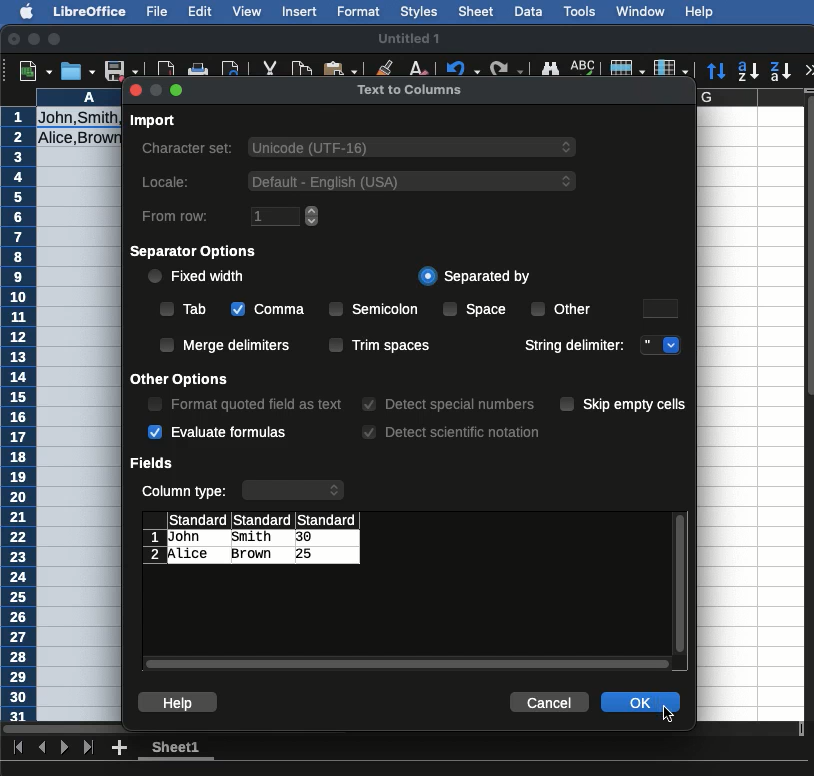 This screenshot has width=814, height=776. Describe the element at coordinates (682, 587) in the screenshot. I see `Scroll` at that location.